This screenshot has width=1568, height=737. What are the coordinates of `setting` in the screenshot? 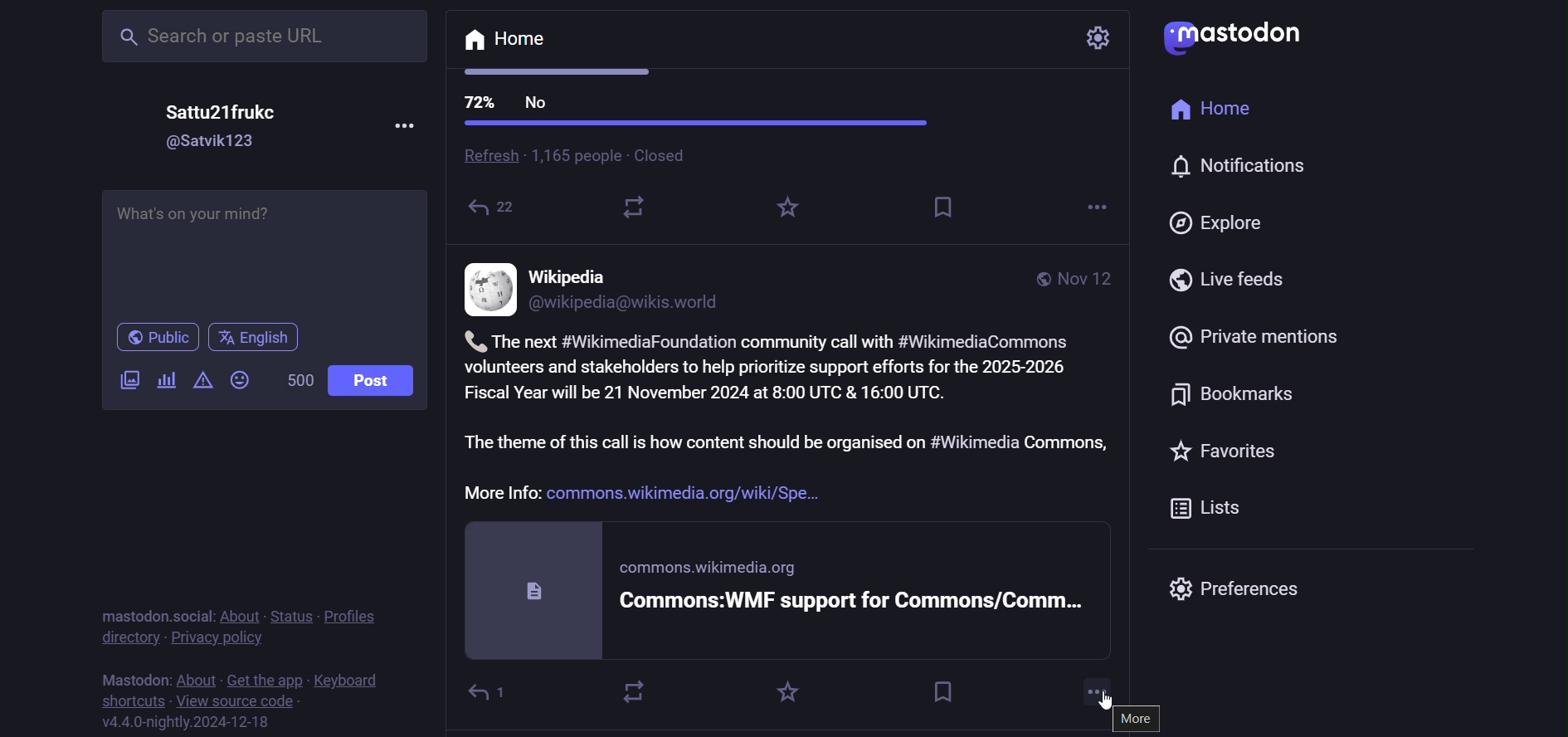 It's located at (1102, 37).